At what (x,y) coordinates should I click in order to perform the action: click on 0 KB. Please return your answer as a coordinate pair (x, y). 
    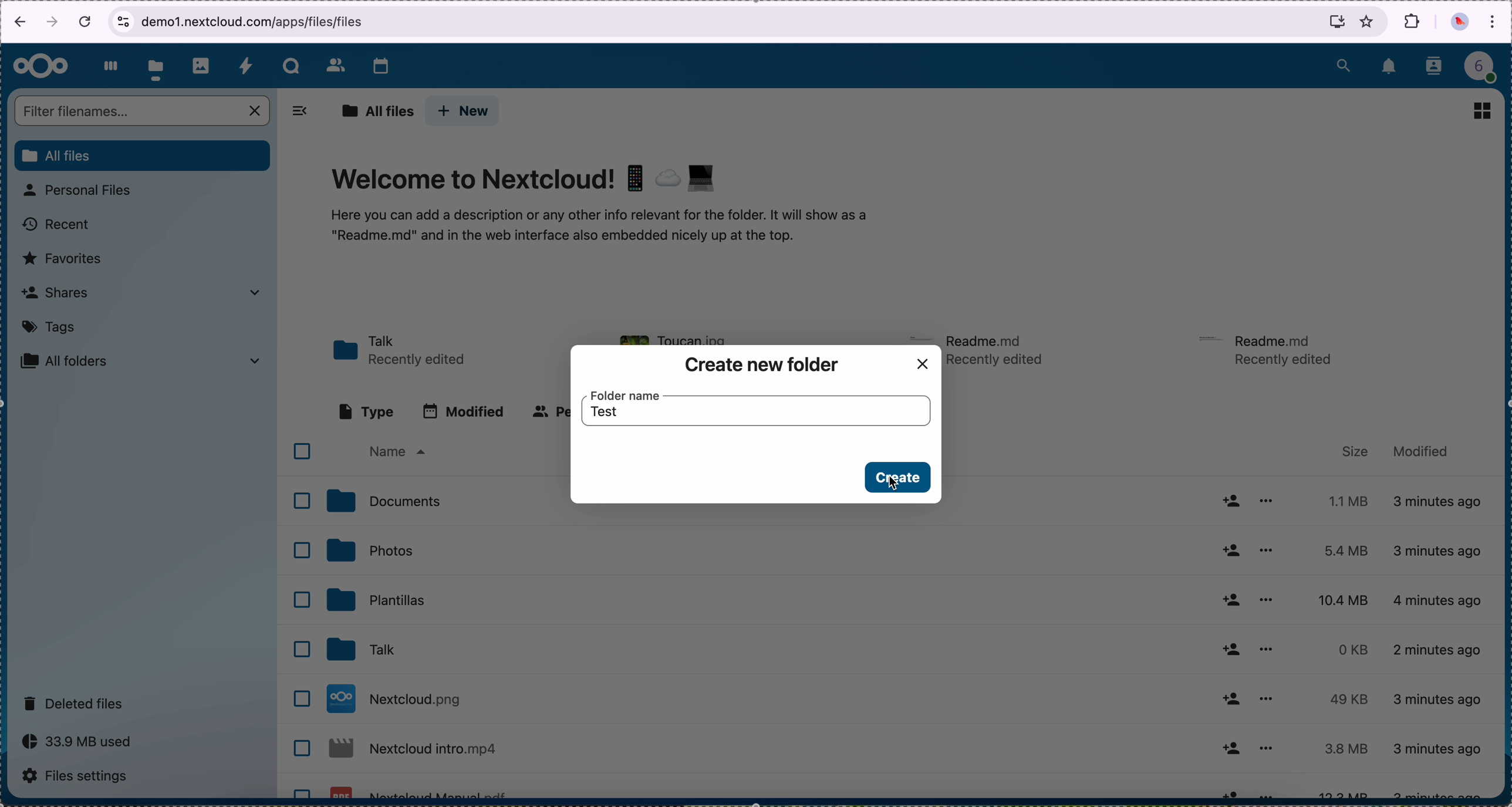
    Looking at the image, I should click on (1355, 650).